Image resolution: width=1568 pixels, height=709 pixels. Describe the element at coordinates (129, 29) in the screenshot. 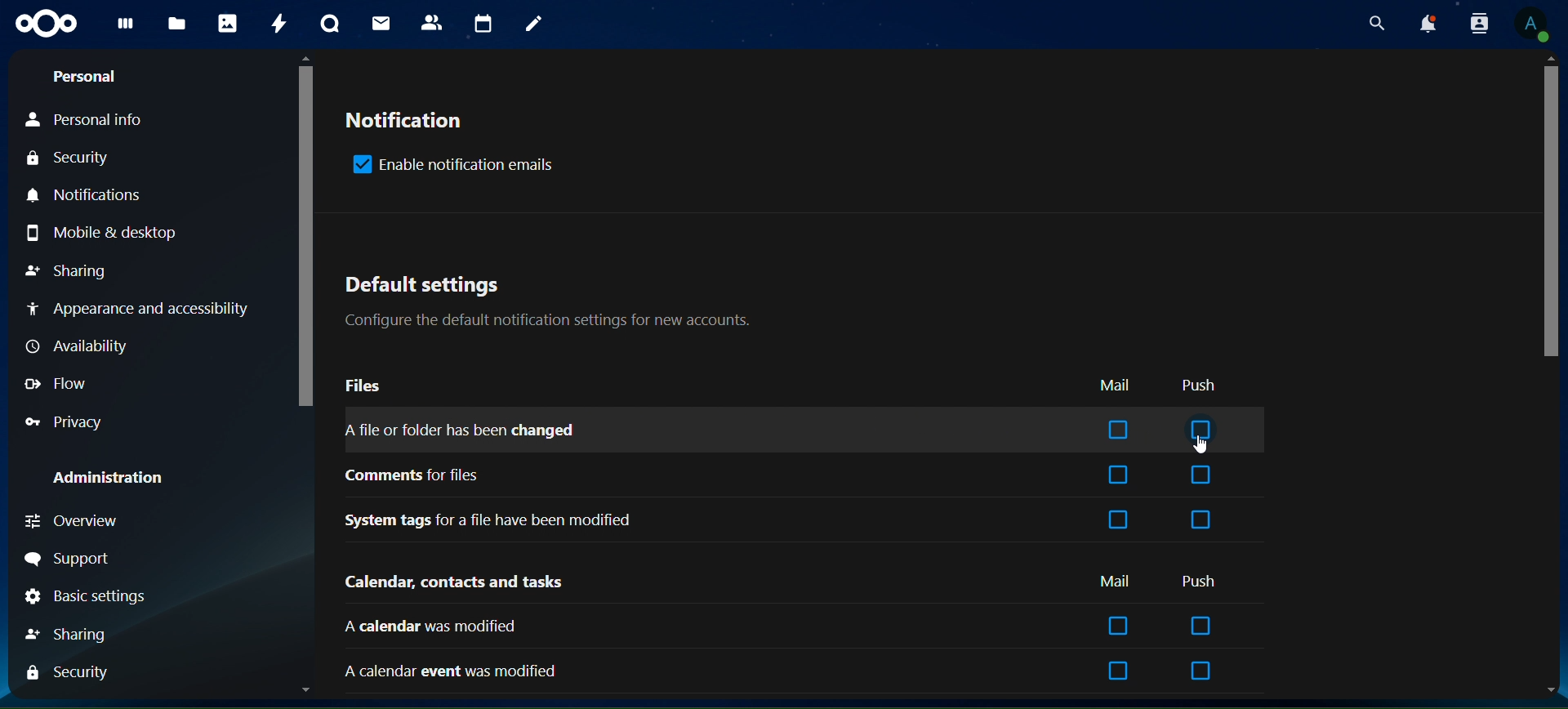

I see `dashboard` at that location.